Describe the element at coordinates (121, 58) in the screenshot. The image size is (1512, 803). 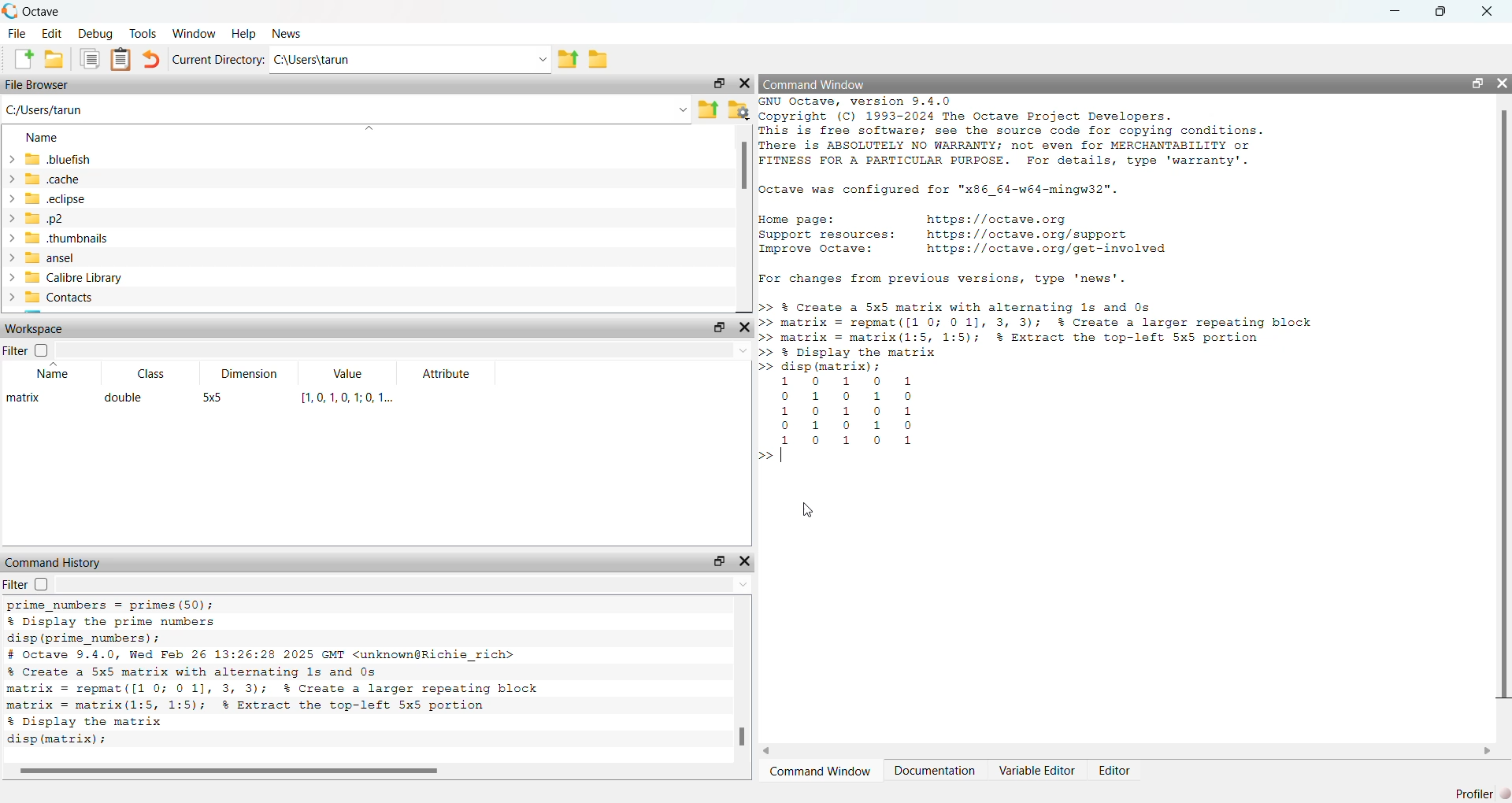
I see `clip board` at that location.